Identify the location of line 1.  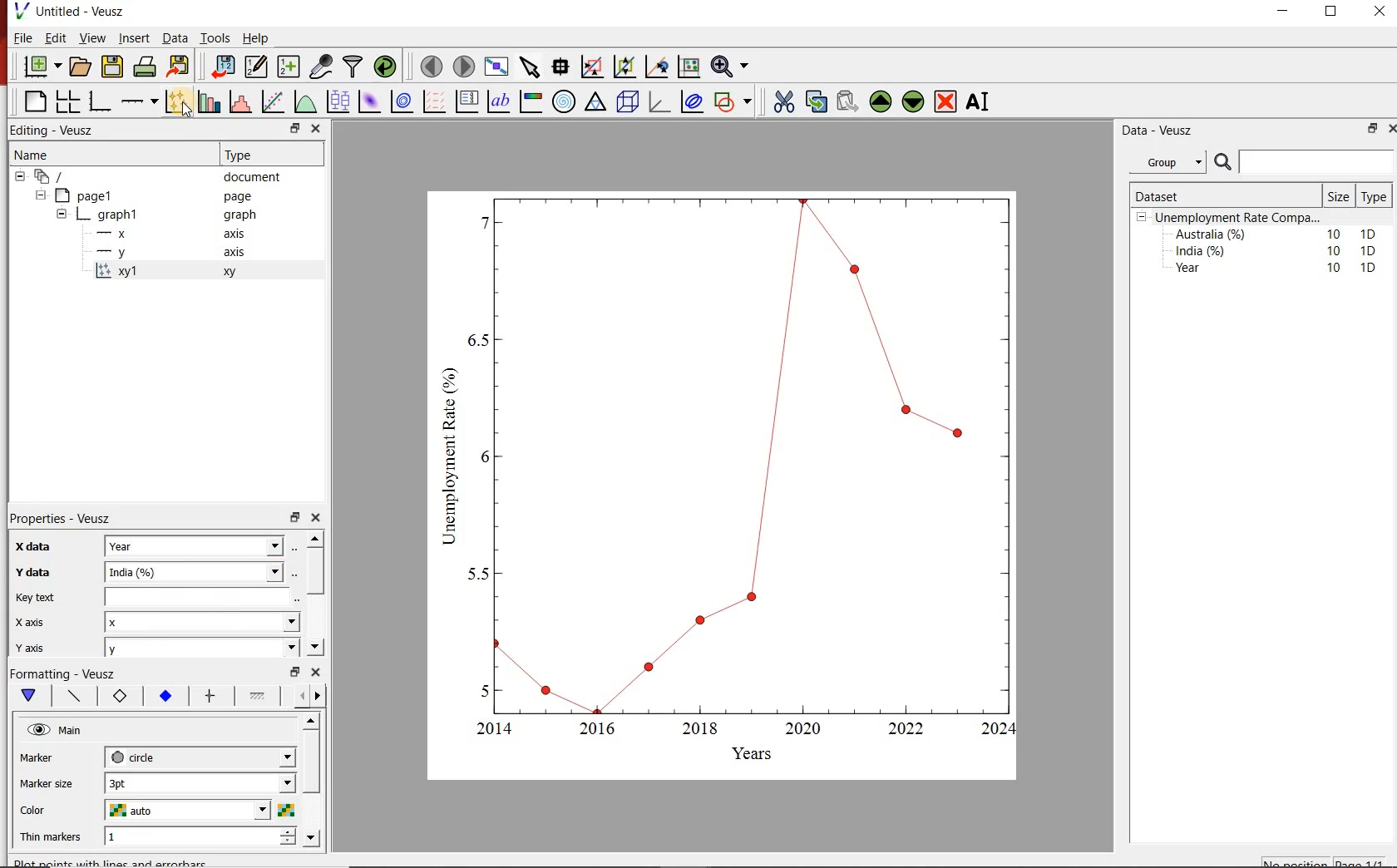
(258, 694).